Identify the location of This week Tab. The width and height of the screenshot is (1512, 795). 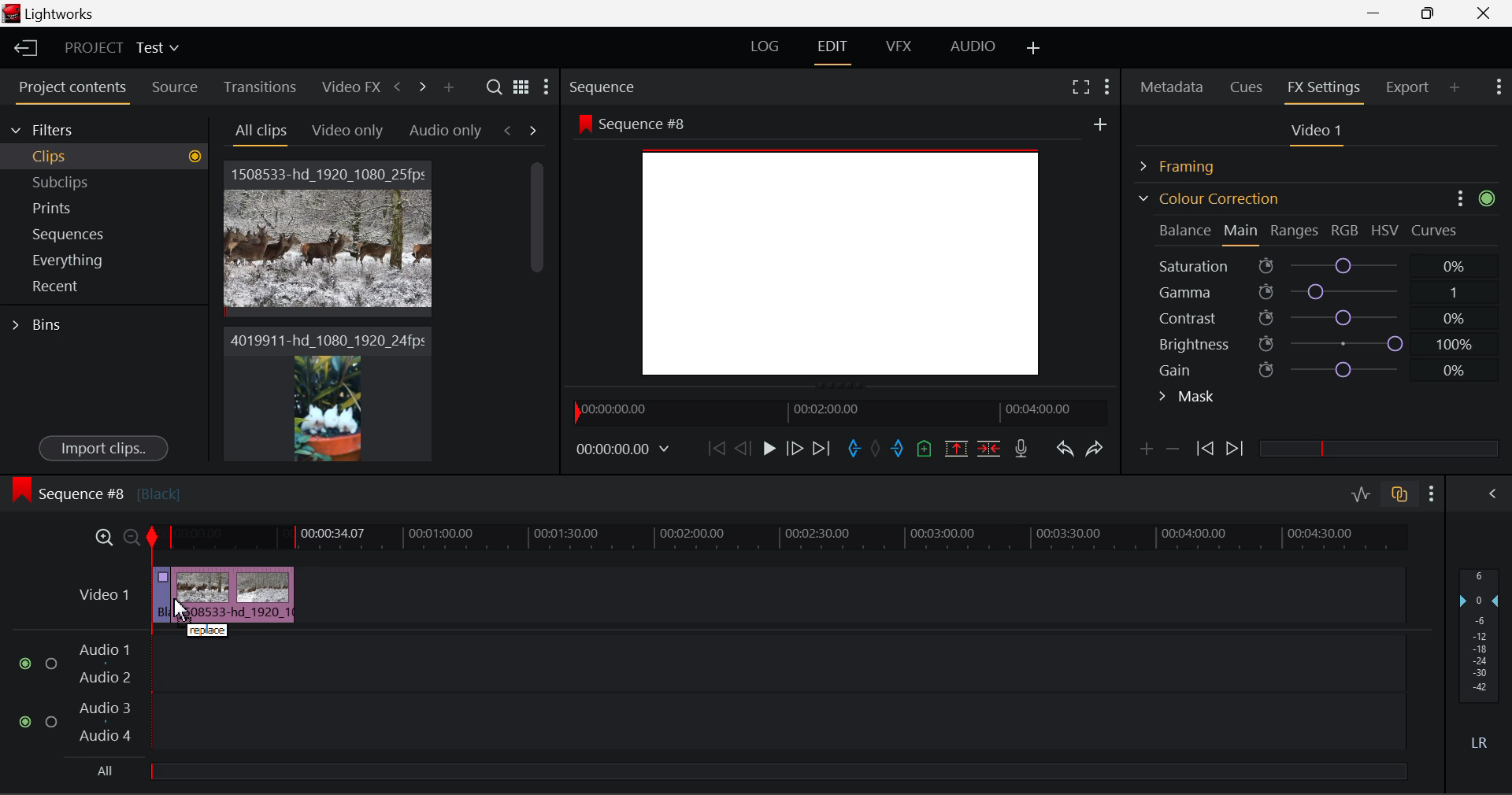
(444, 131).